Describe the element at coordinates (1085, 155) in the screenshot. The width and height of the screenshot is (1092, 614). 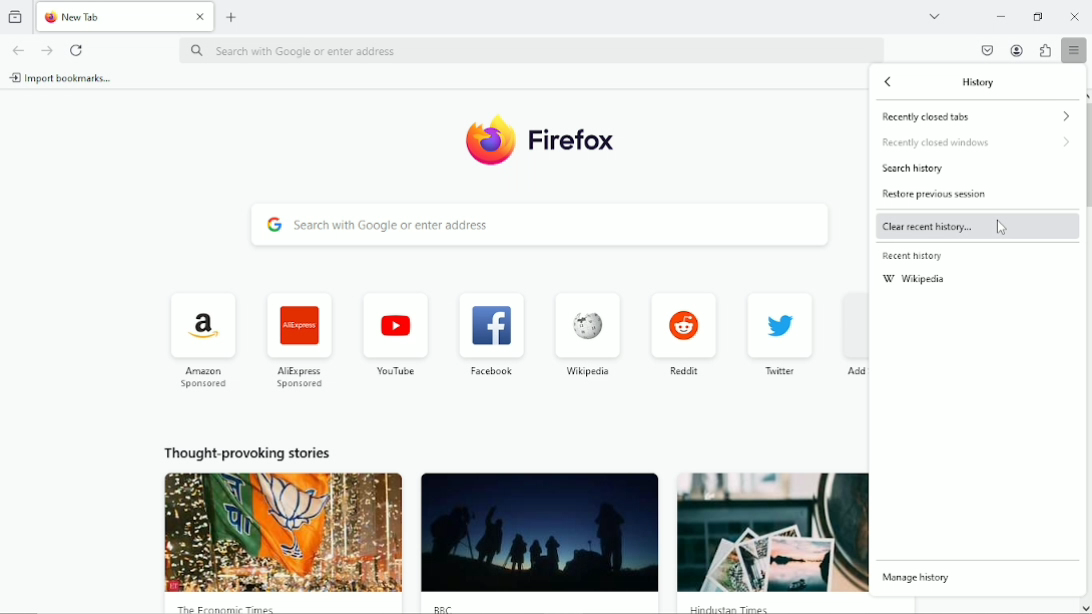
I see `scroll bar` at that location.